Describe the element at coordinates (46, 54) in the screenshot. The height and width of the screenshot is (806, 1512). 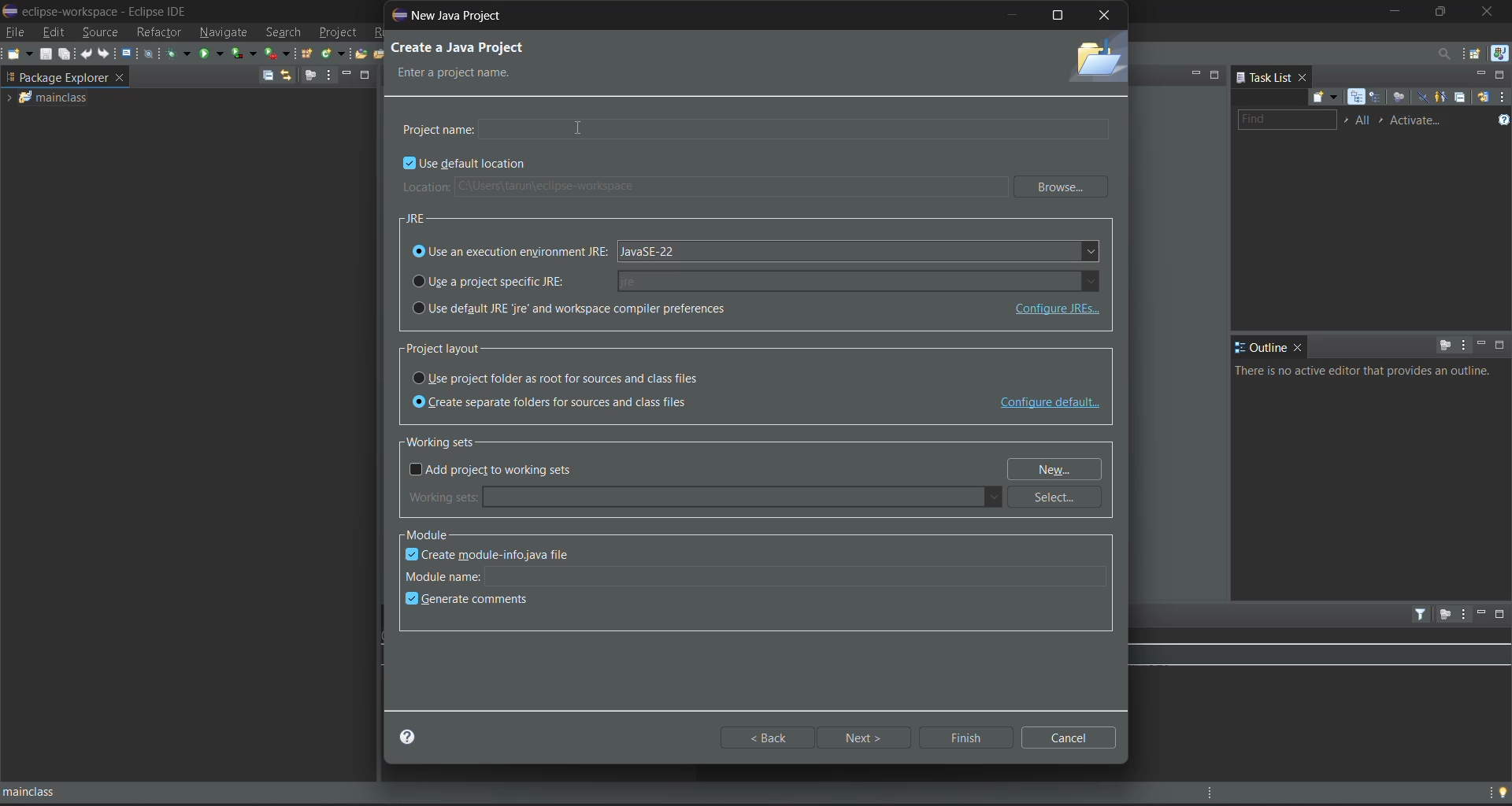
I see `save` at that location.